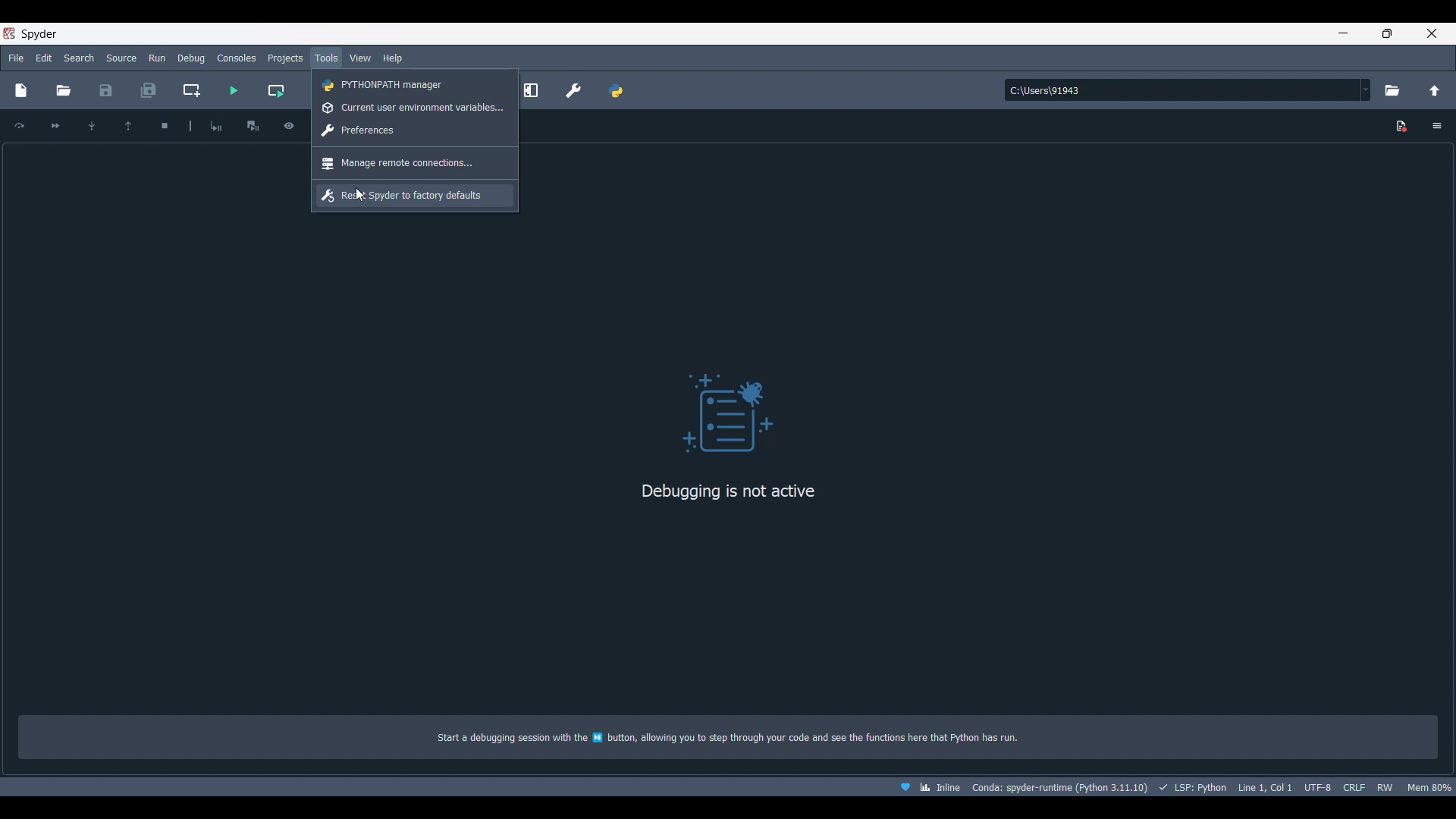 Image resolution: width=1456 pixels, height=819 pixels. Describe the element at coordinates (327, 58) in the screenshot. I see `Tools menu` at that location.